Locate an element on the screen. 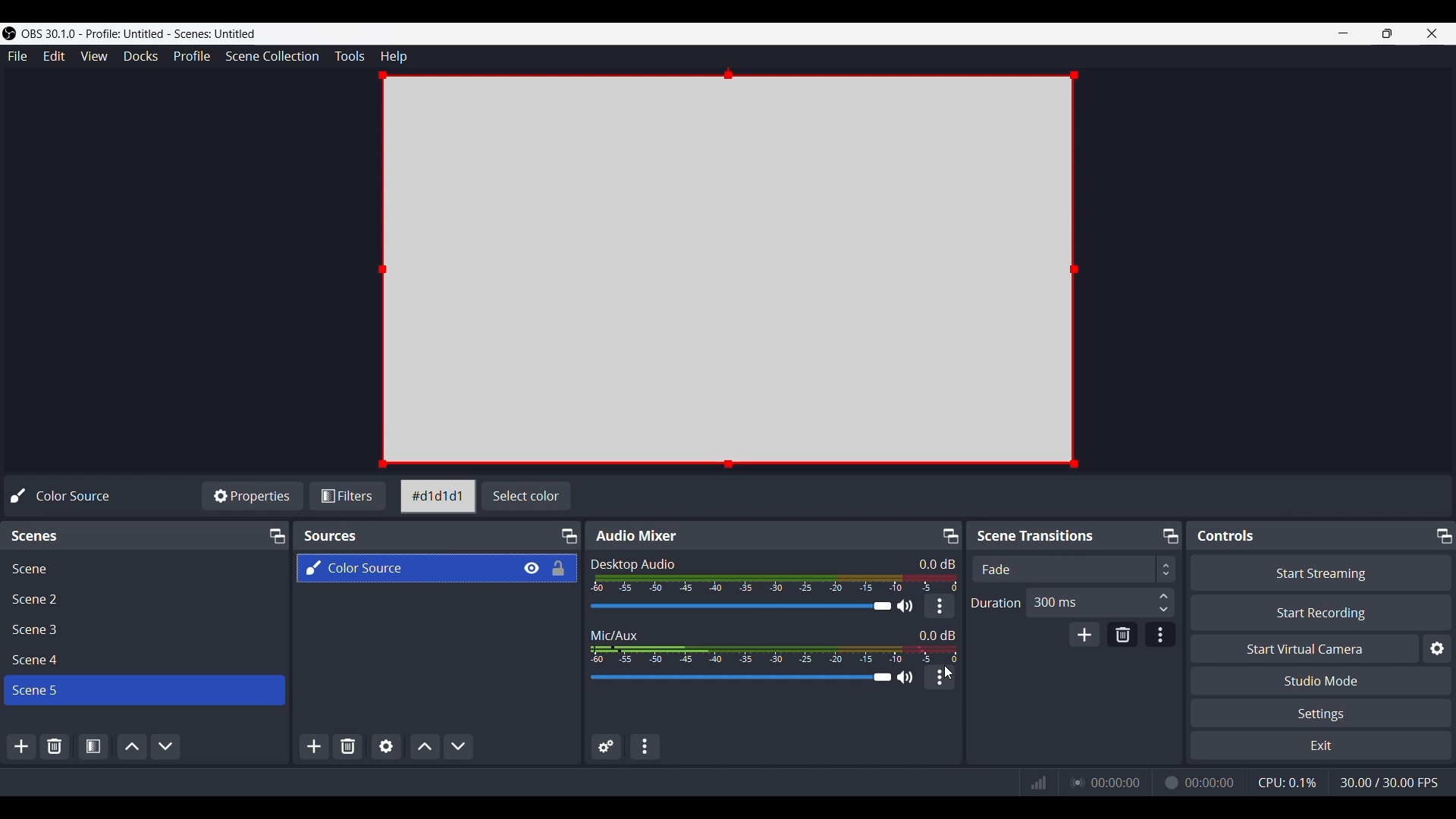 The image size is (1456, 819). More is located at coordinates (940, 677).